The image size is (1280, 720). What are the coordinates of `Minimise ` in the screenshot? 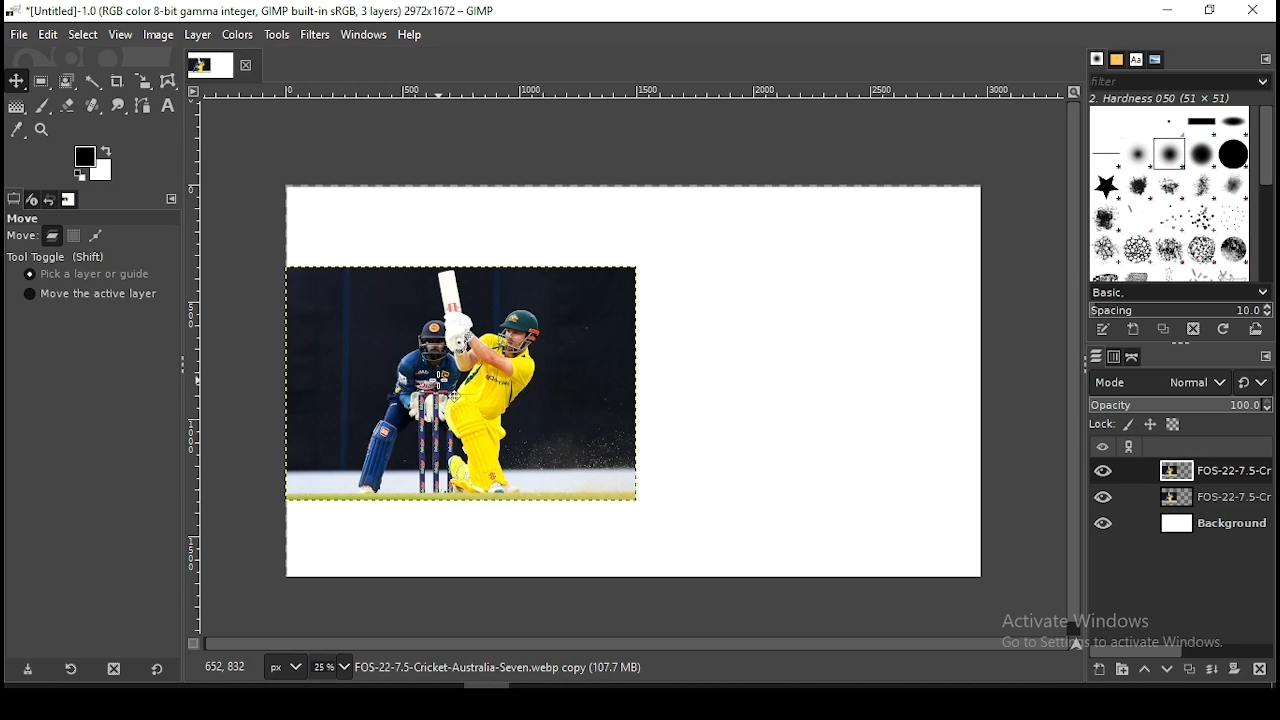 It's located at (1167, 10).